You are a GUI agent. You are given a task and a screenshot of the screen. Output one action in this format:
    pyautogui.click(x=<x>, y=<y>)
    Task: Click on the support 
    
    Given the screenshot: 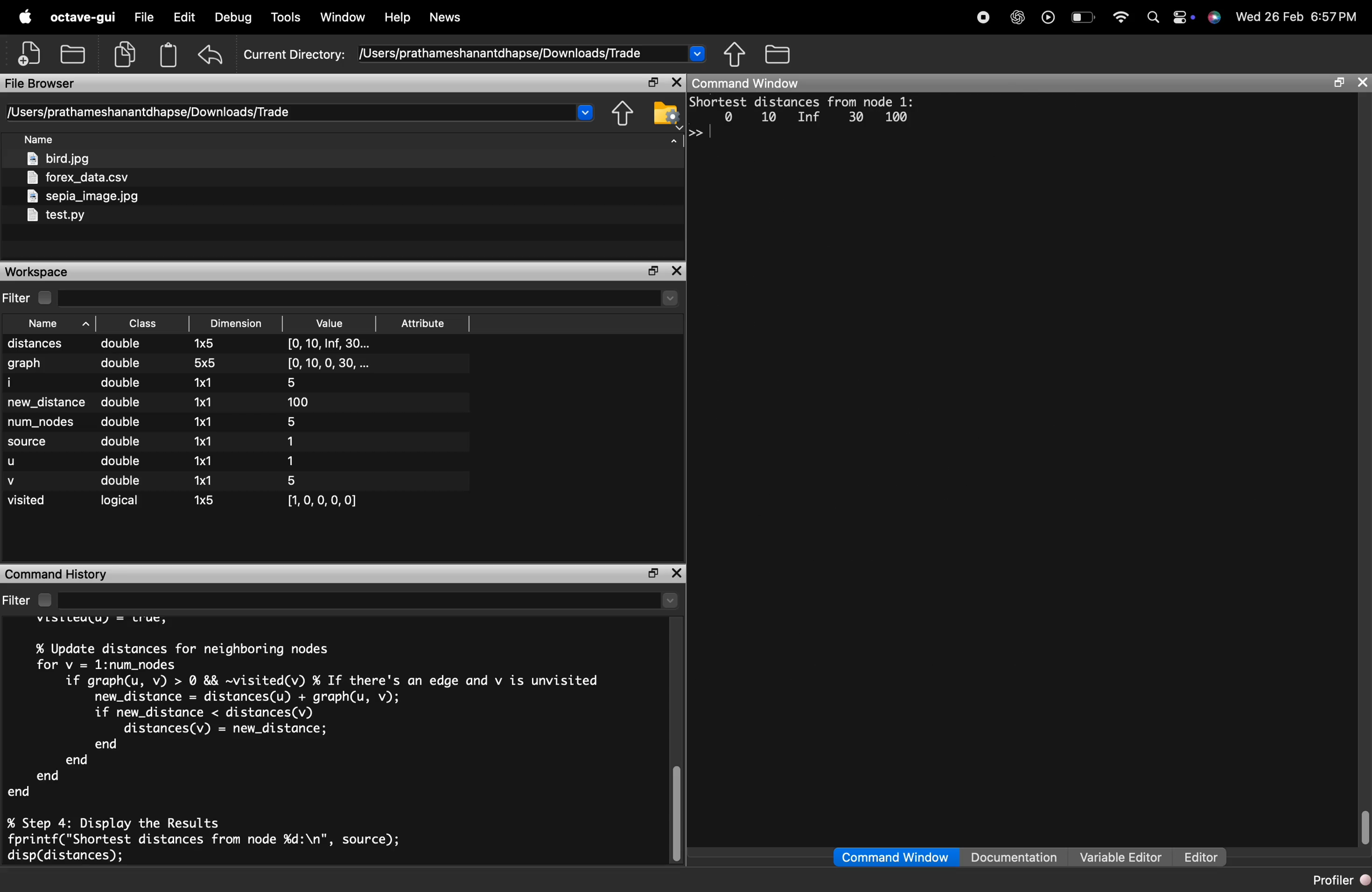 What is the action you would take?
    pyautogui.click(x=1216, y=18)
    